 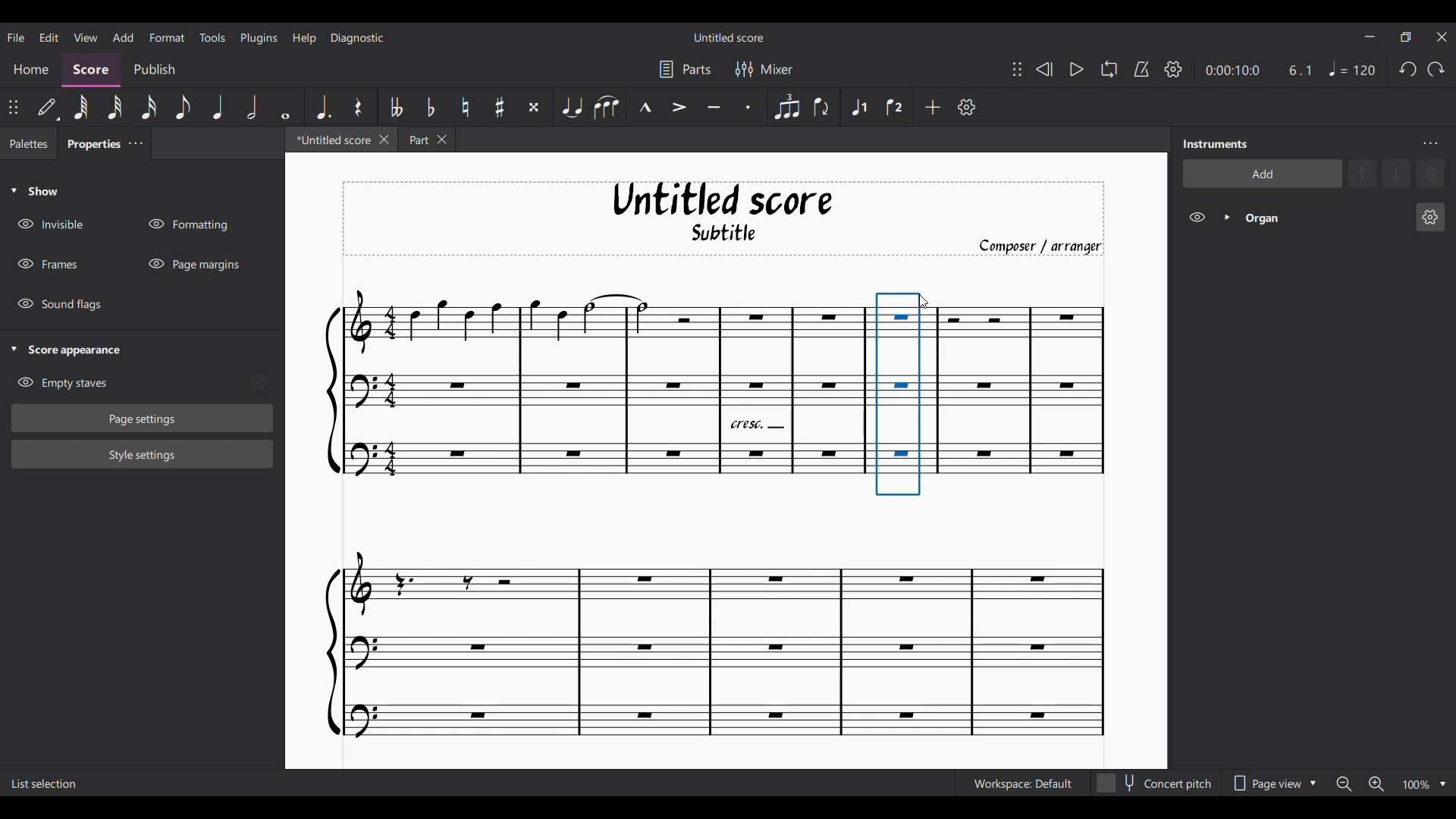 What do you see at coordinates (218, 107) in the screenshot?
I see `Quarter note` at bounding box center [218, 107].